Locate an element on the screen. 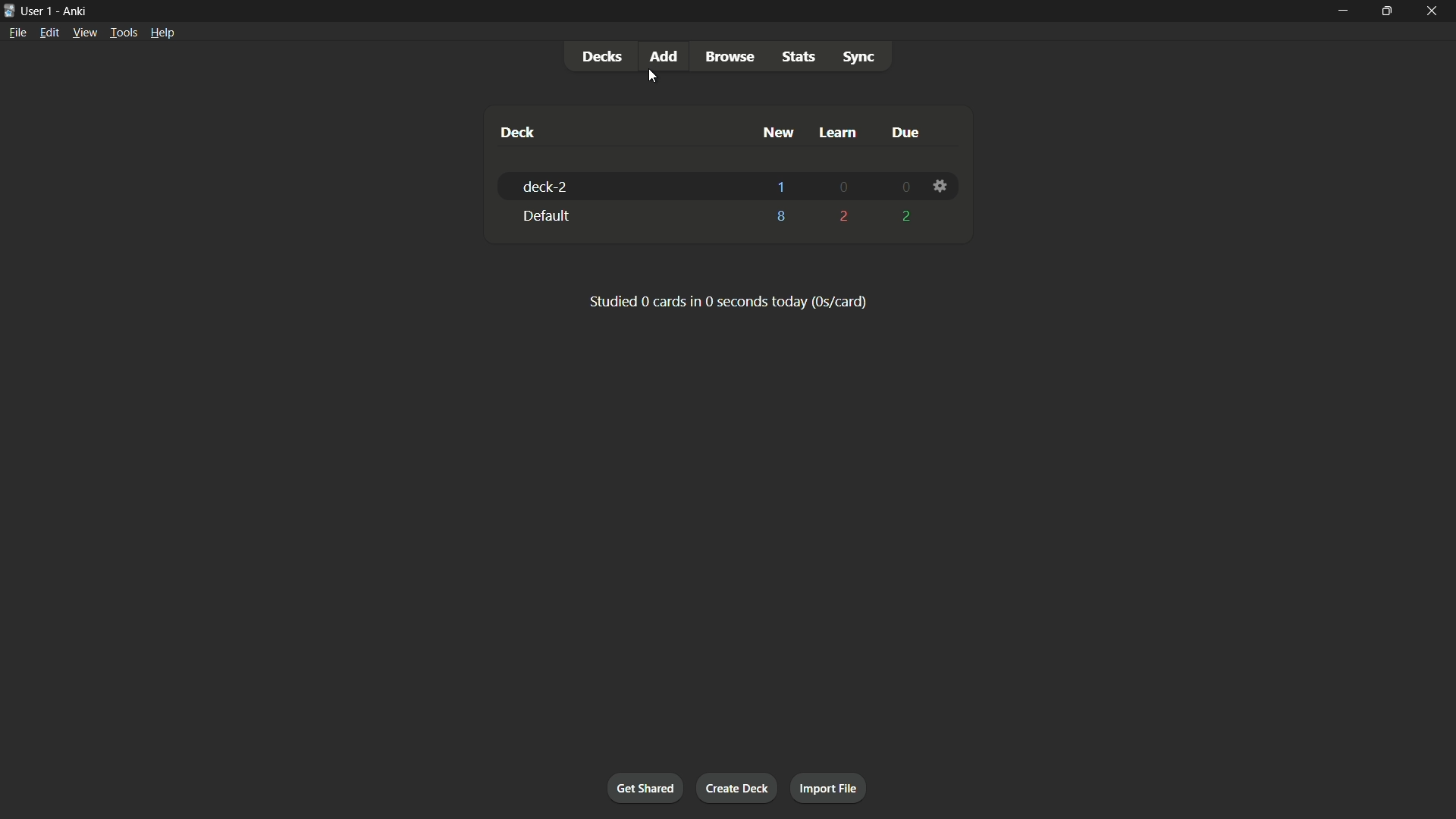 Image resolution: width=1456 pixels, height=819 pixels. user 1 is located at coordinates (39, 13).